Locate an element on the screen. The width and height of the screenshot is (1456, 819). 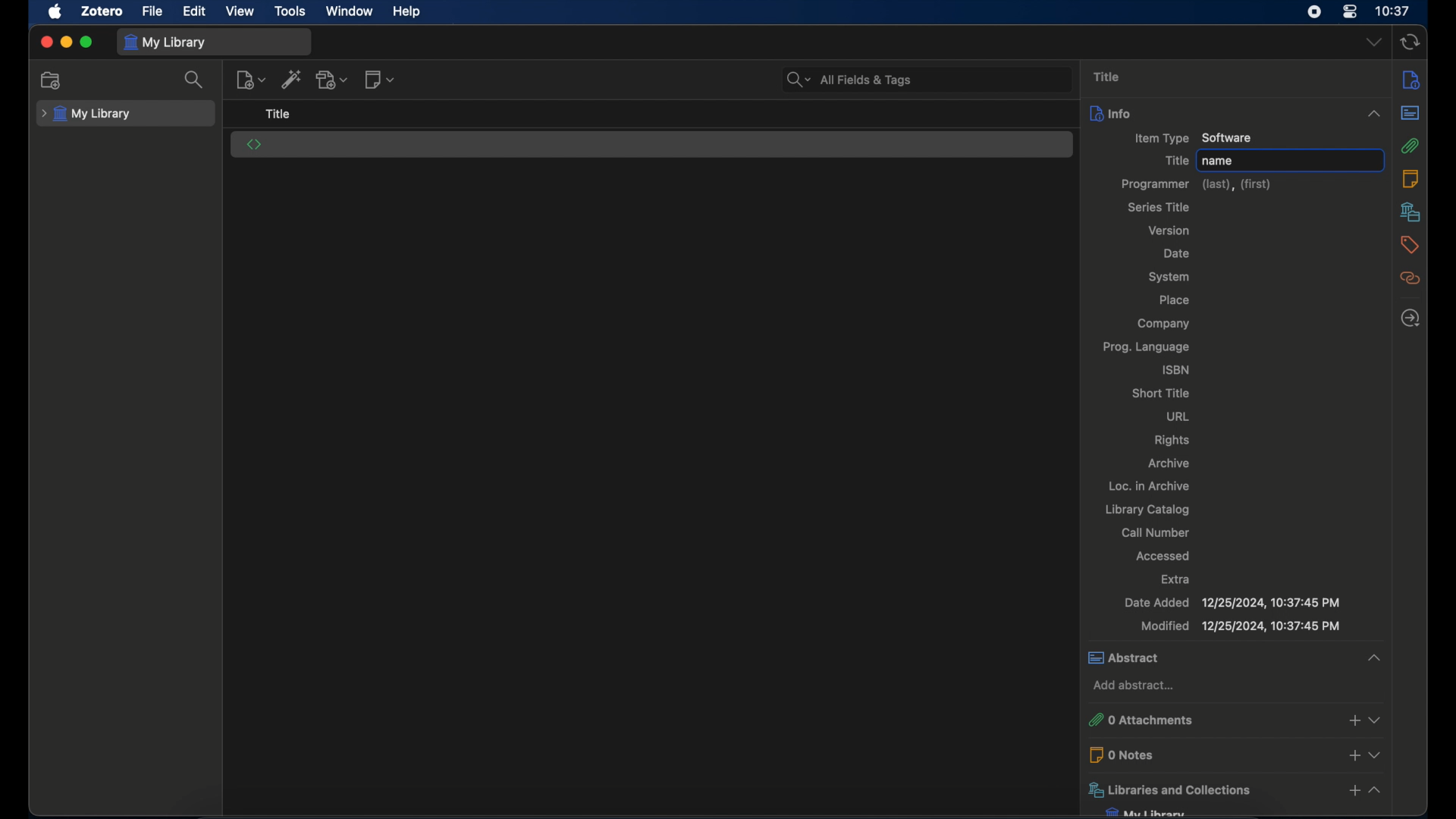
add attachments is located at coordinates (1353, 720).